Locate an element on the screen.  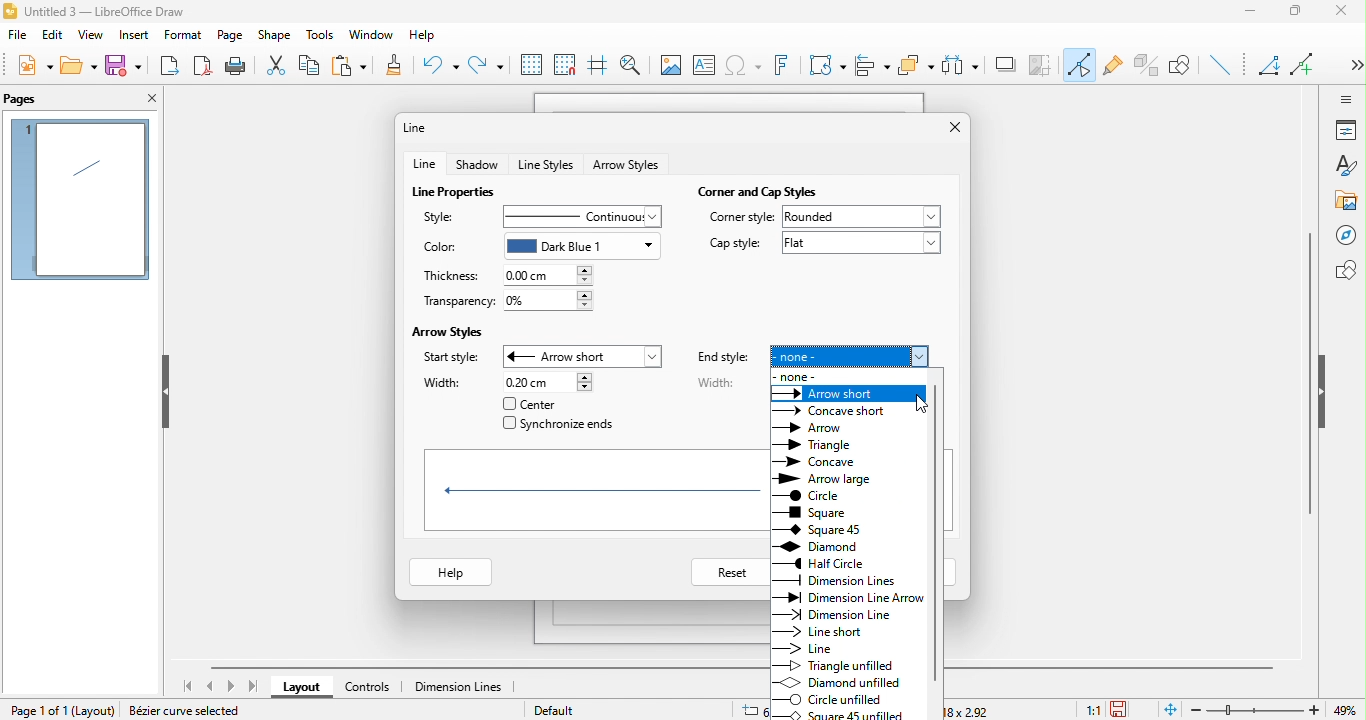
first page is located at coordinates (191, 686).